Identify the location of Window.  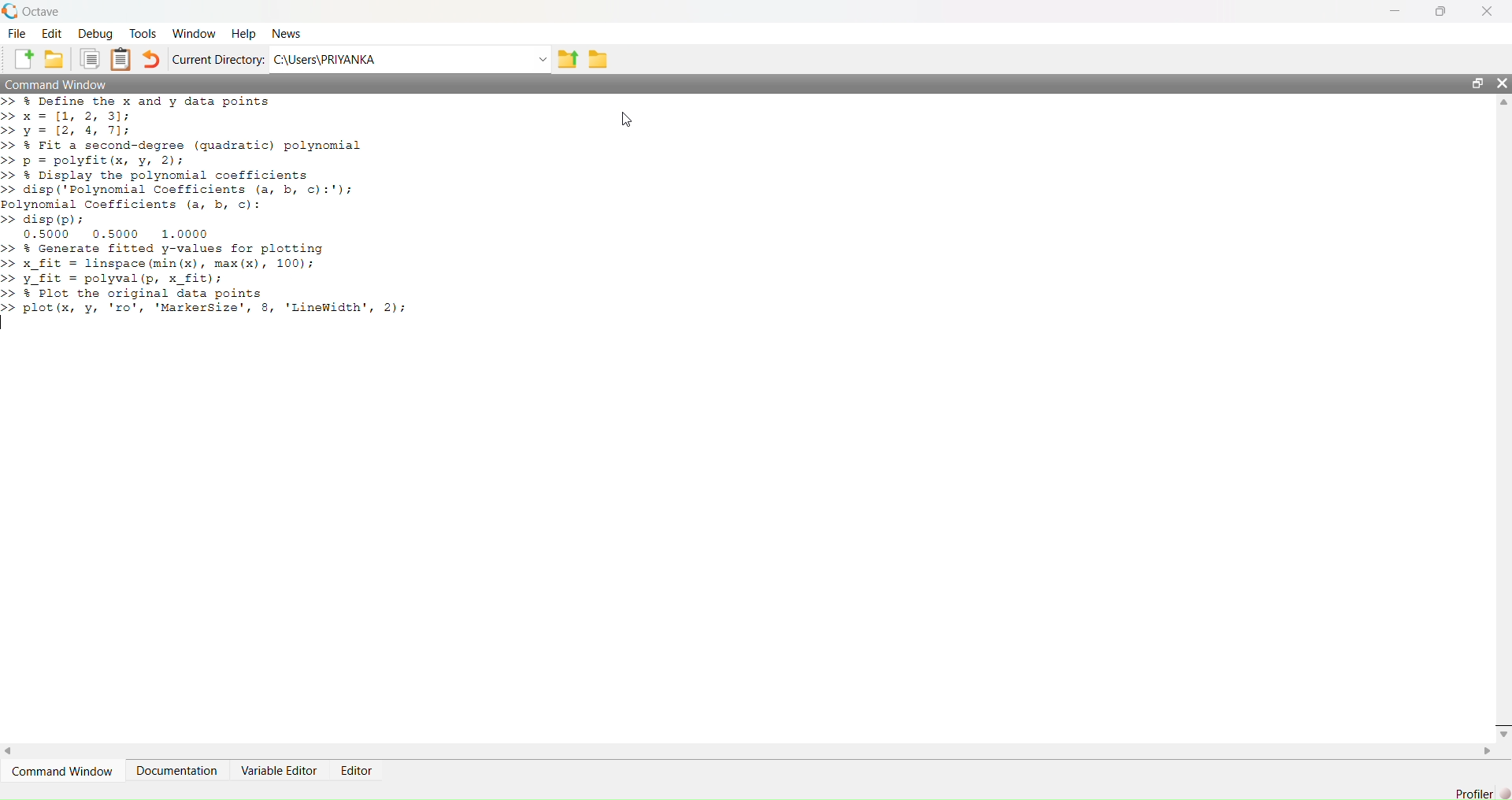
(194, 35).